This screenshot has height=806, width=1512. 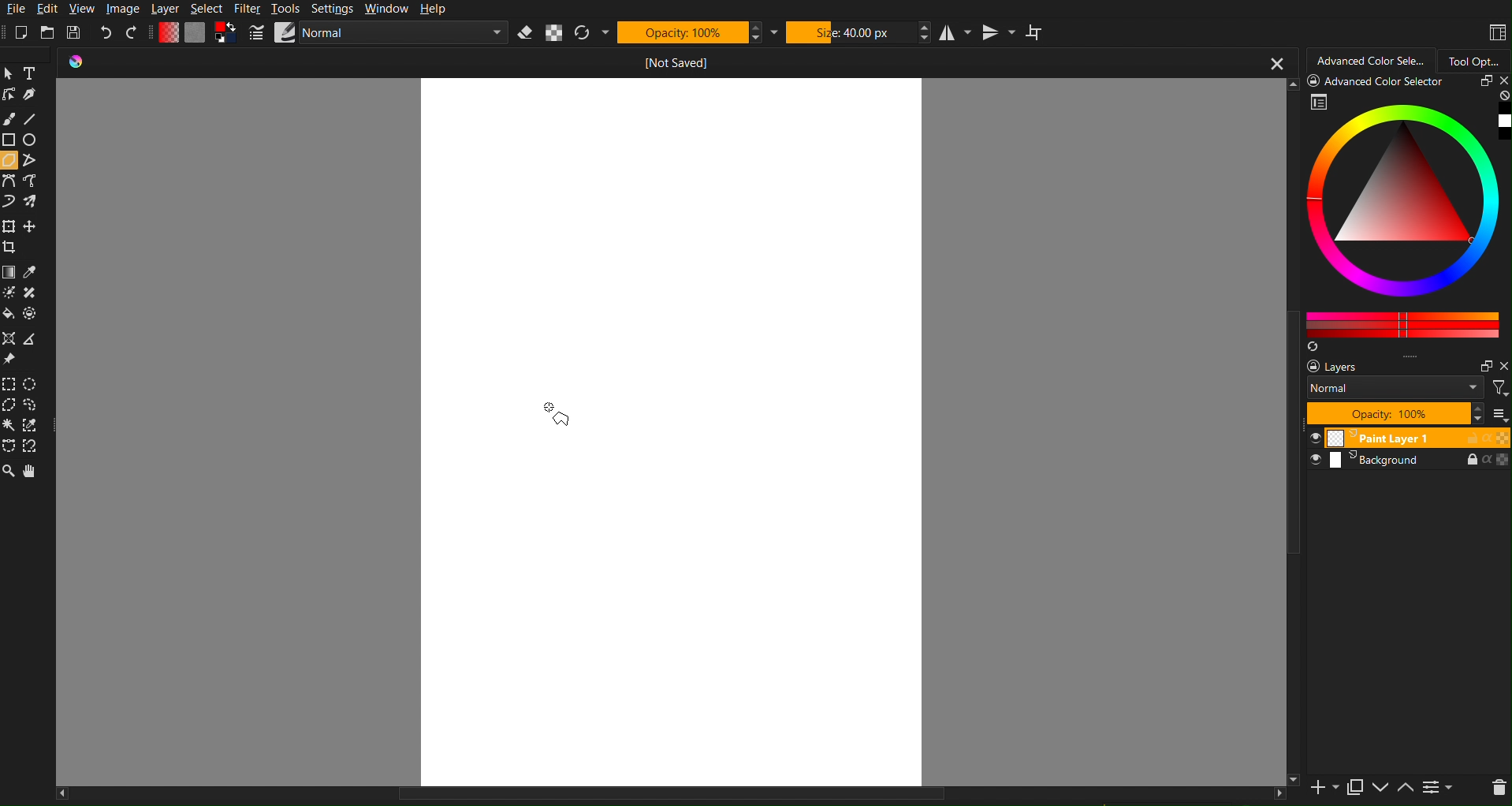 What do you see at coordinates (31, 471) in the screenshot?
I see `Pan` at bounding box center [31, 471].